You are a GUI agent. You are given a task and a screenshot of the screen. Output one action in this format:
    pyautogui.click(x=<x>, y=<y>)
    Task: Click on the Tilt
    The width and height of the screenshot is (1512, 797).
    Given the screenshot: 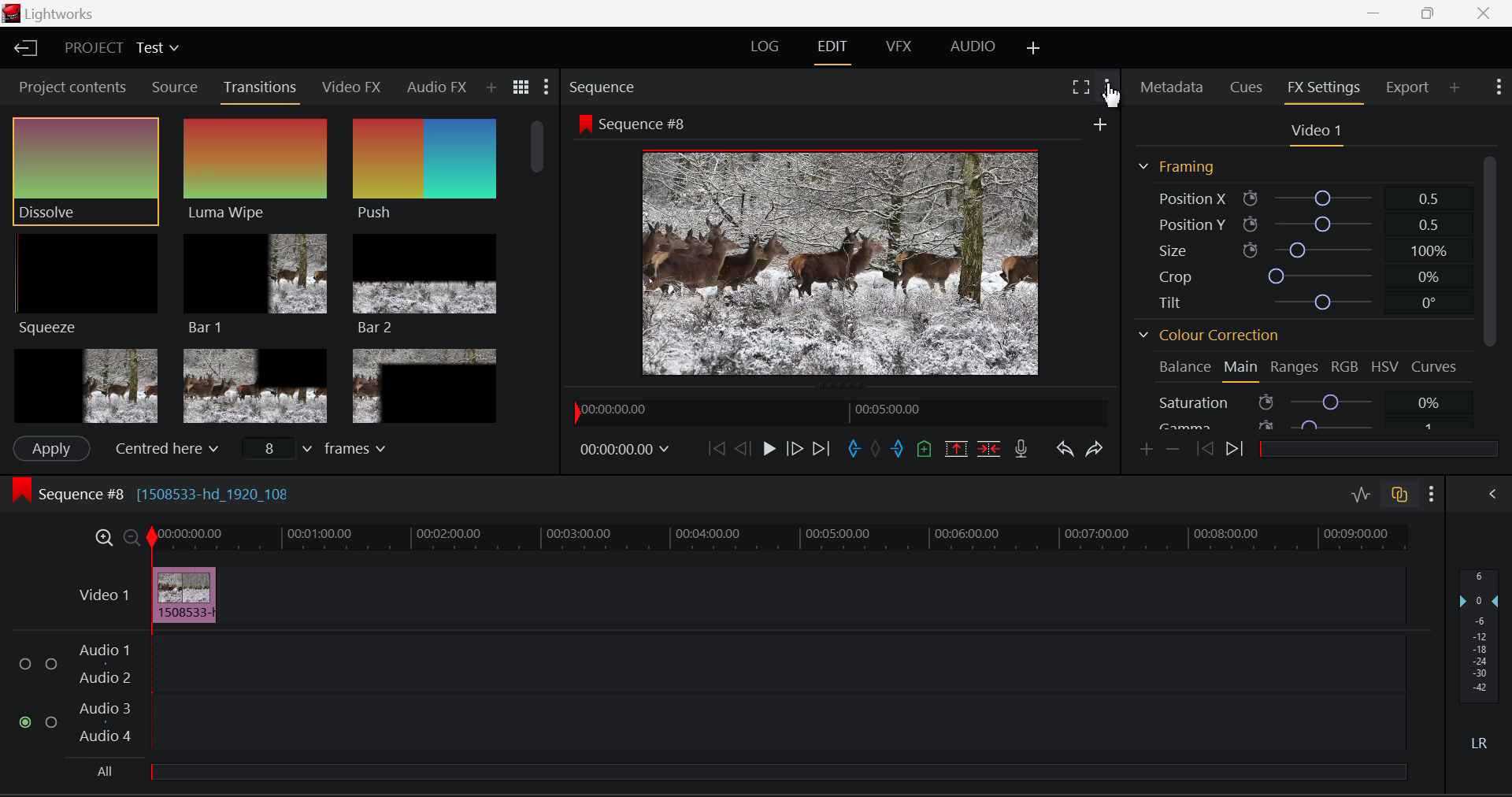 What is the action you would take?
    pyautogui.click(x=1307, y=300)
    